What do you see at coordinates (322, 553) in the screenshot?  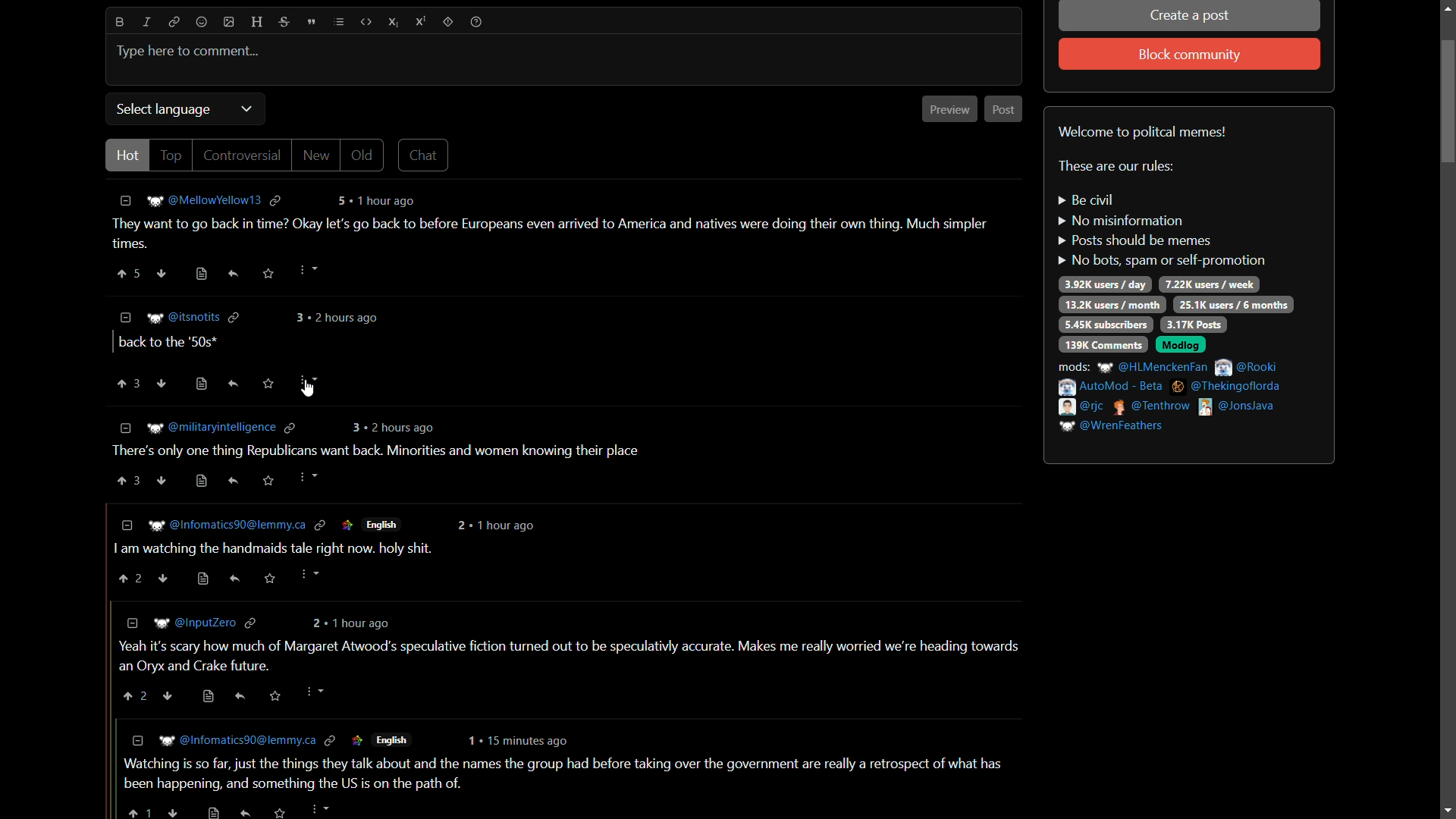 I see `comment-4` at bounding box center [322, 553].